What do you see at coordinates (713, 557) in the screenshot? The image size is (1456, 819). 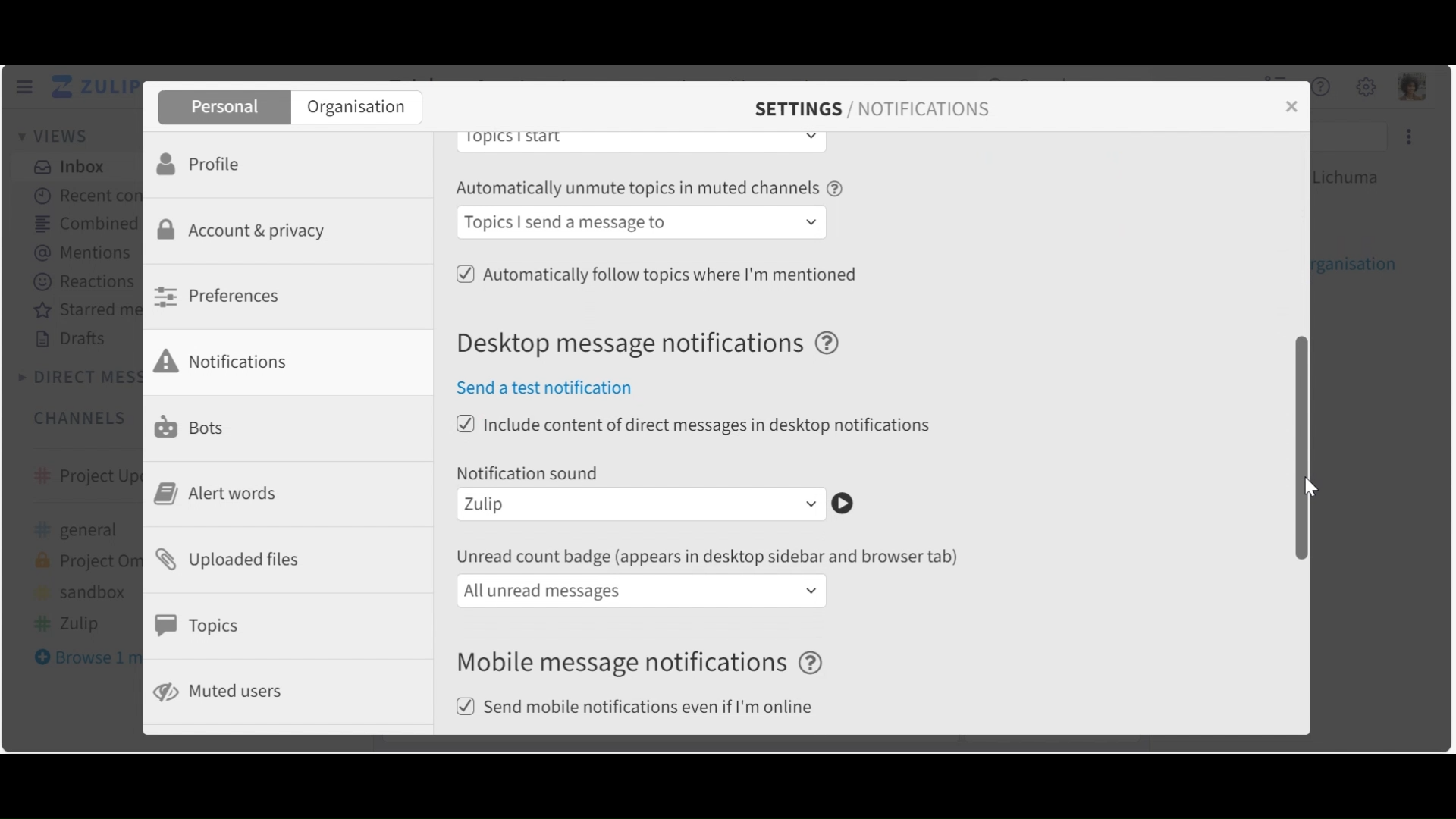 I see `unread count badge` at bounding box center [713, 557].